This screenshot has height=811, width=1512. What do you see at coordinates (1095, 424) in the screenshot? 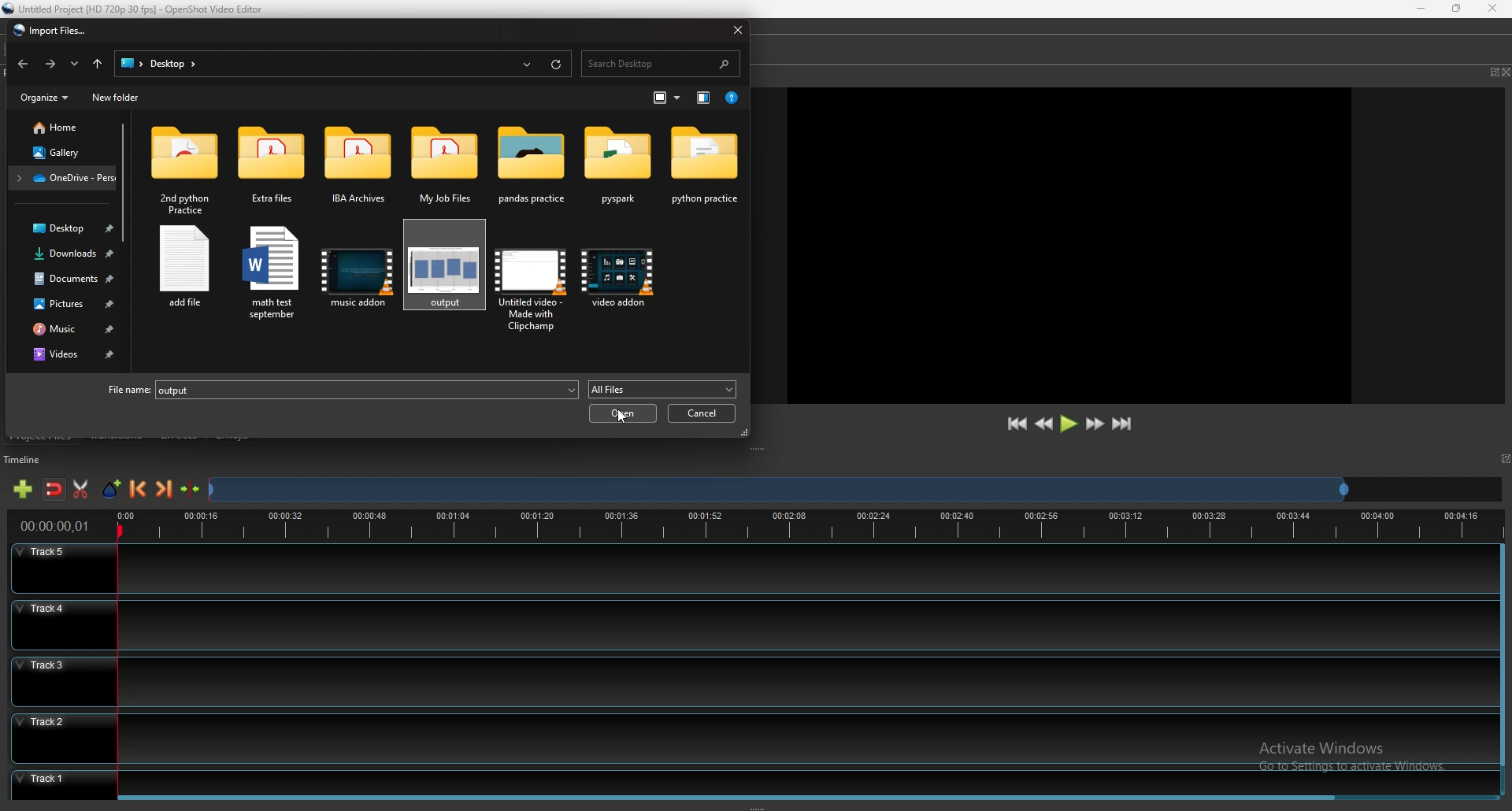
I see `fast forward` at bounding box center [1095, 424].